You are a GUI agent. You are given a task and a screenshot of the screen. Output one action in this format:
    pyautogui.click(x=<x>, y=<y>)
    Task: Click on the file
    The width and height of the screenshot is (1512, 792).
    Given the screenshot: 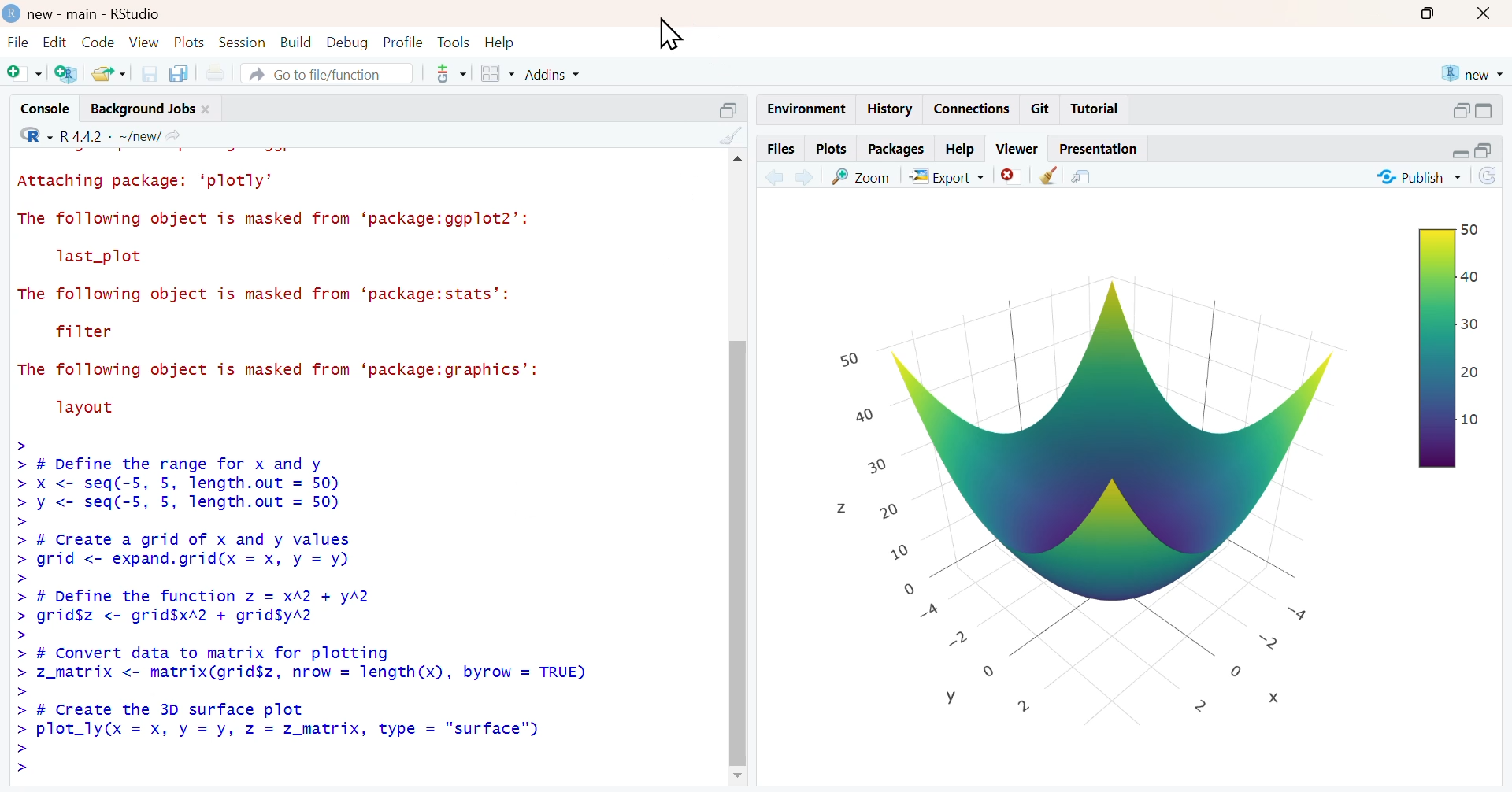 What is the action you would take?
    pyautogui.click(x=16, y=42)
    